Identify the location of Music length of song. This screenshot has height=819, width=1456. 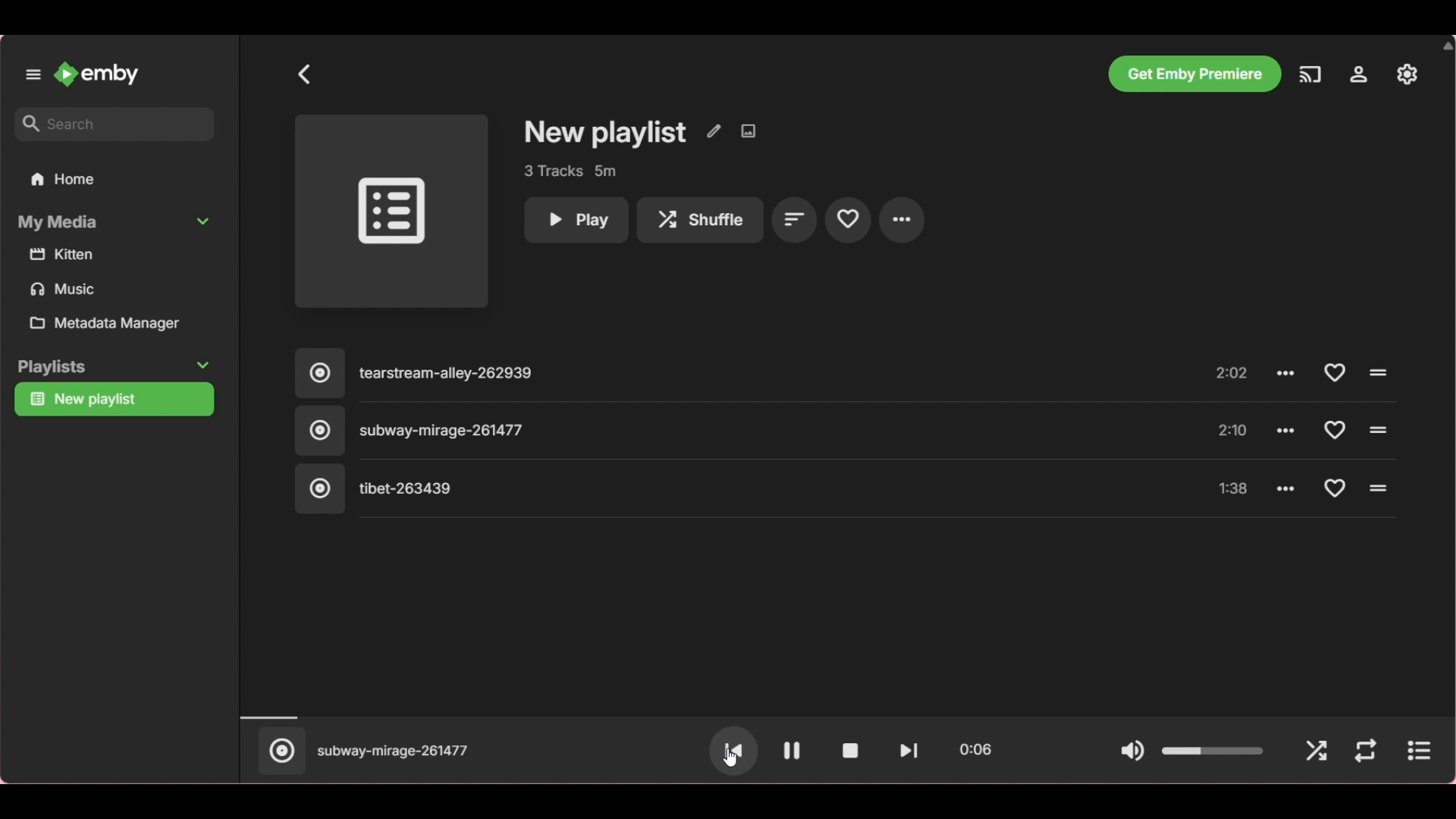
(1234, 375).